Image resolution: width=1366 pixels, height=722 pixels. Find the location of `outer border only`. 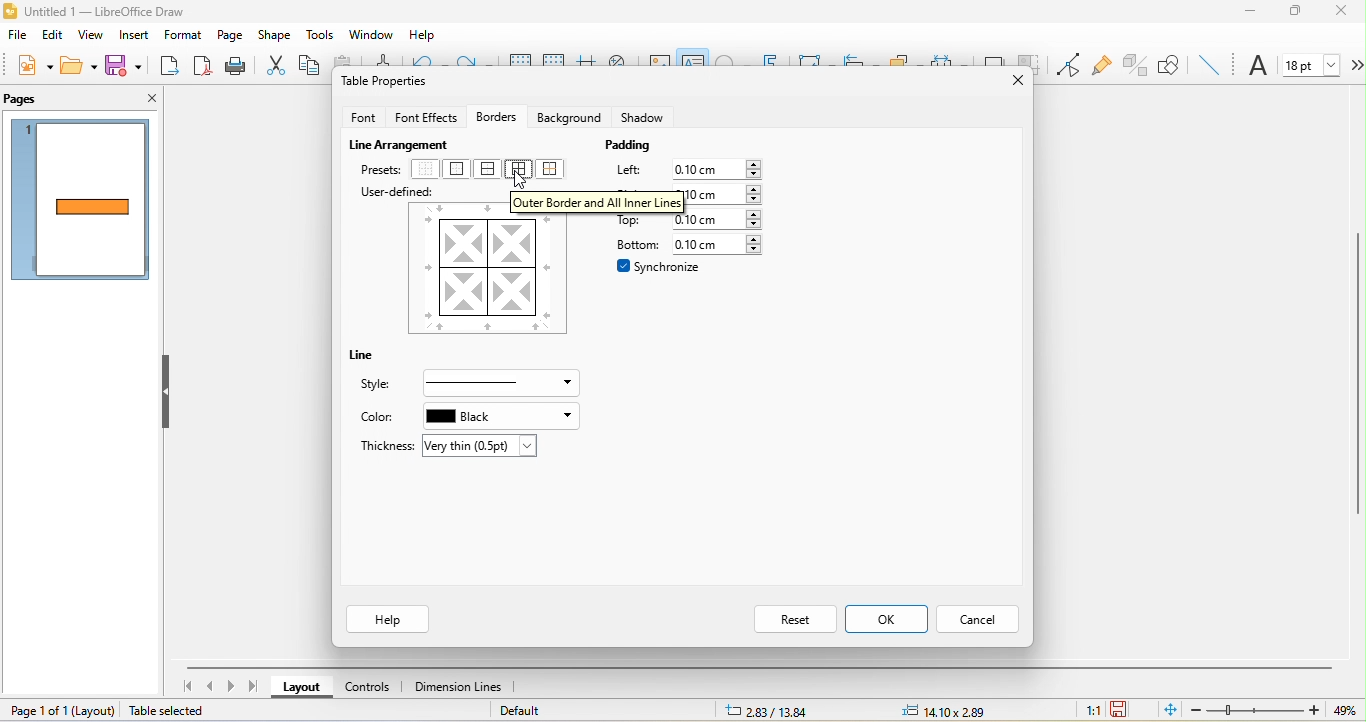

outer border only is located at coordinates (462, 170).